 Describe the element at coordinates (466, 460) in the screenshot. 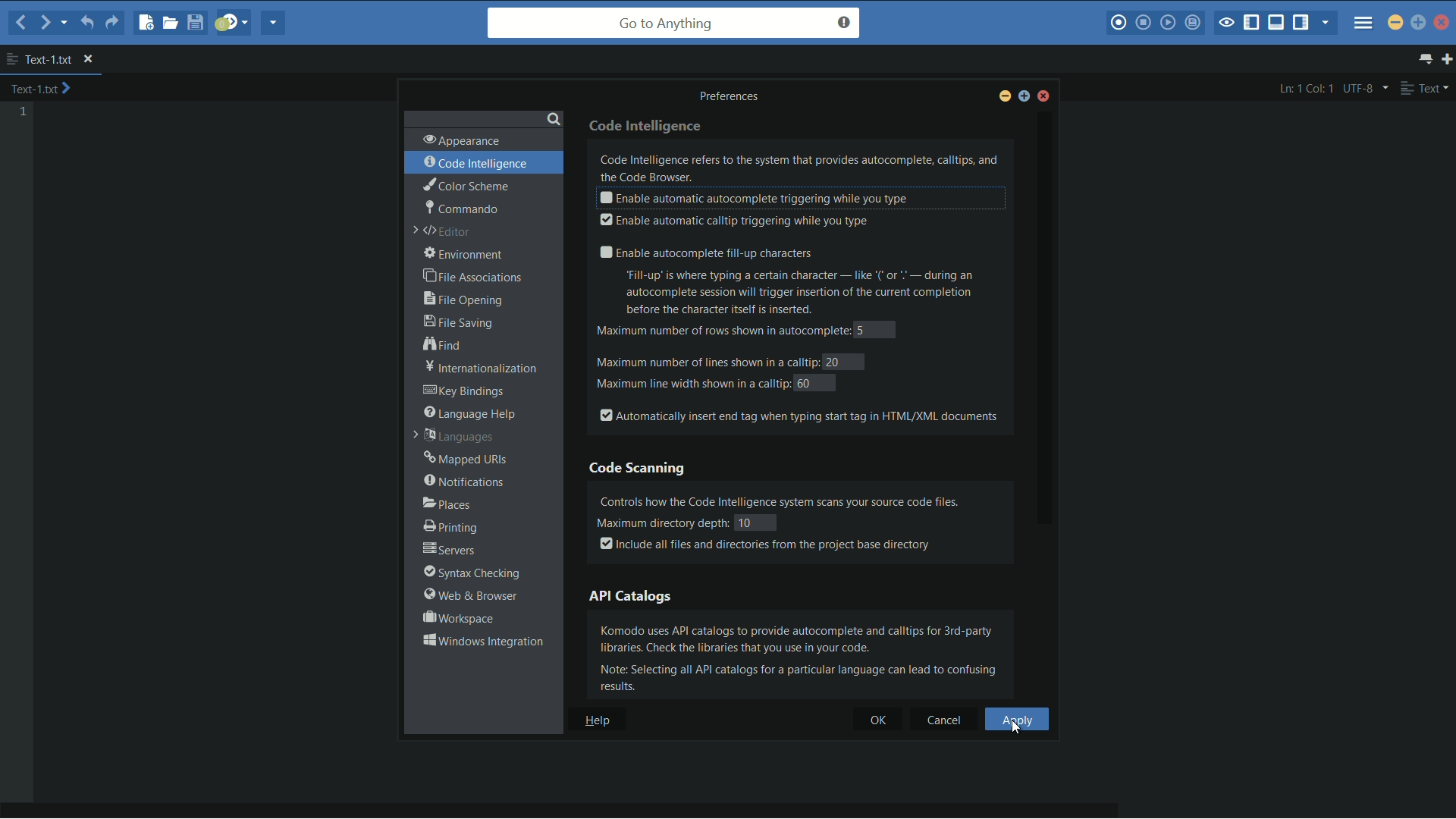

I see `mapped urls` at that location.